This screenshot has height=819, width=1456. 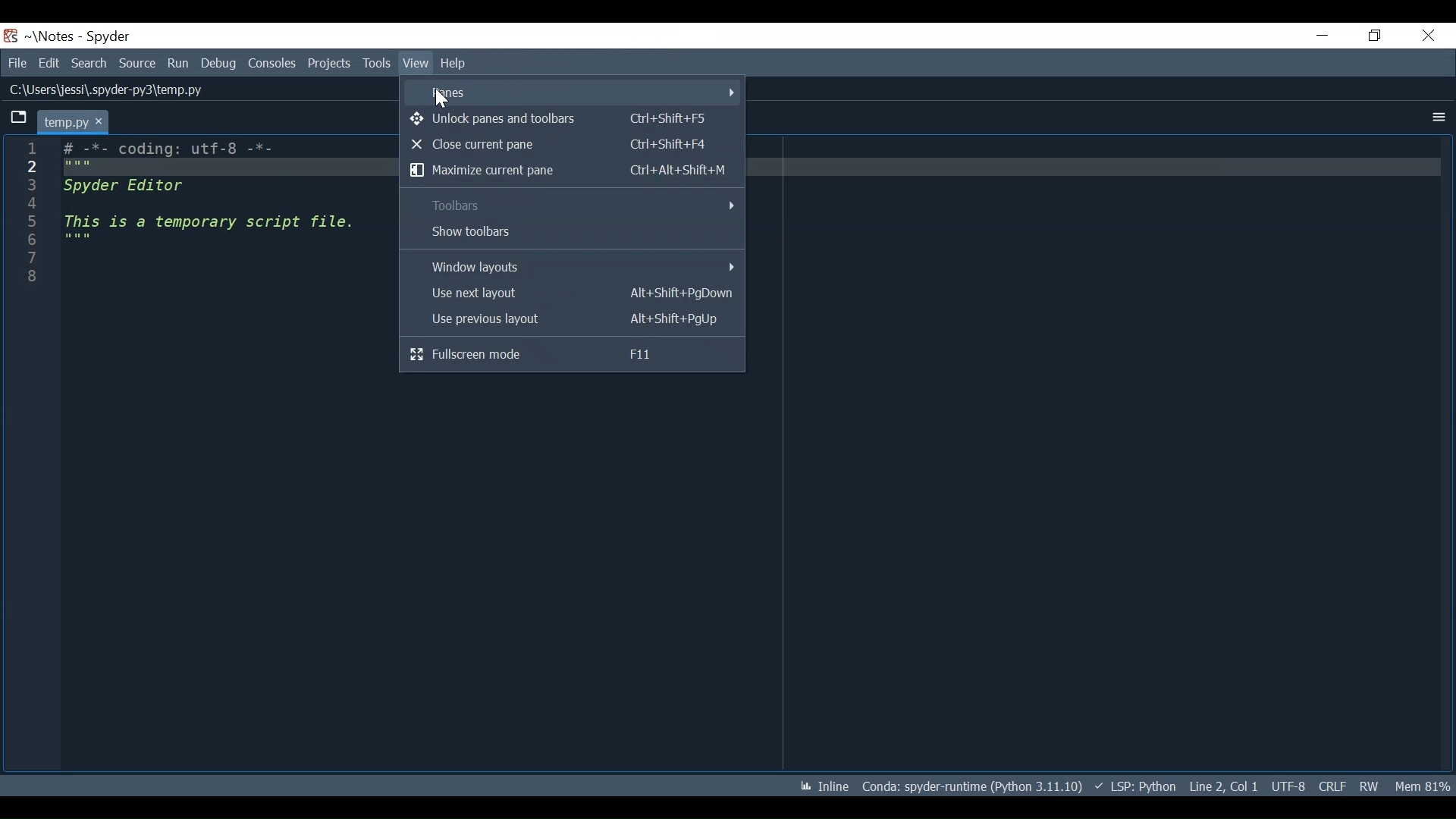 I want to click on Help, so click(x=455, y=62).